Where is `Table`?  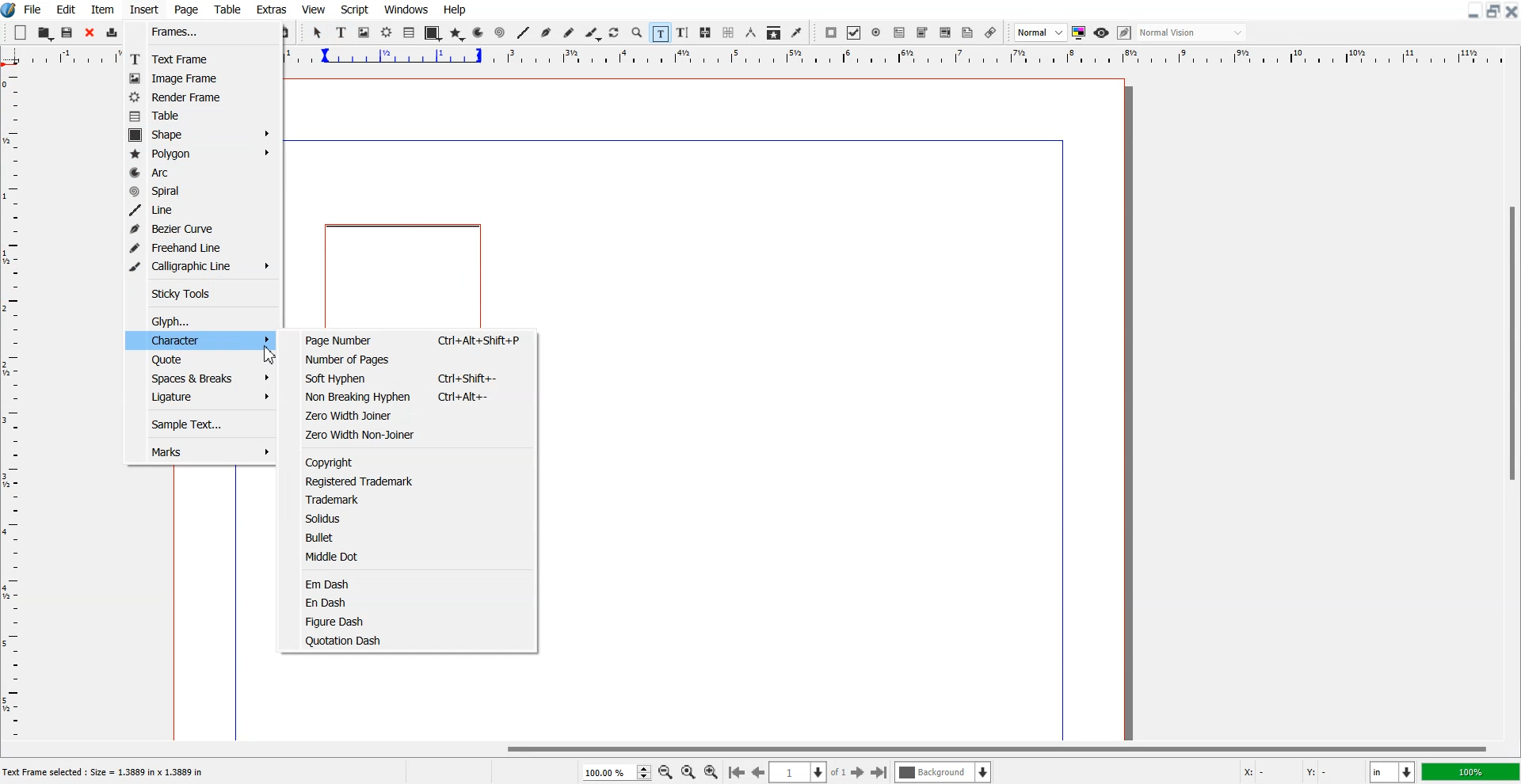 Table is located at coordinates (410, 32).